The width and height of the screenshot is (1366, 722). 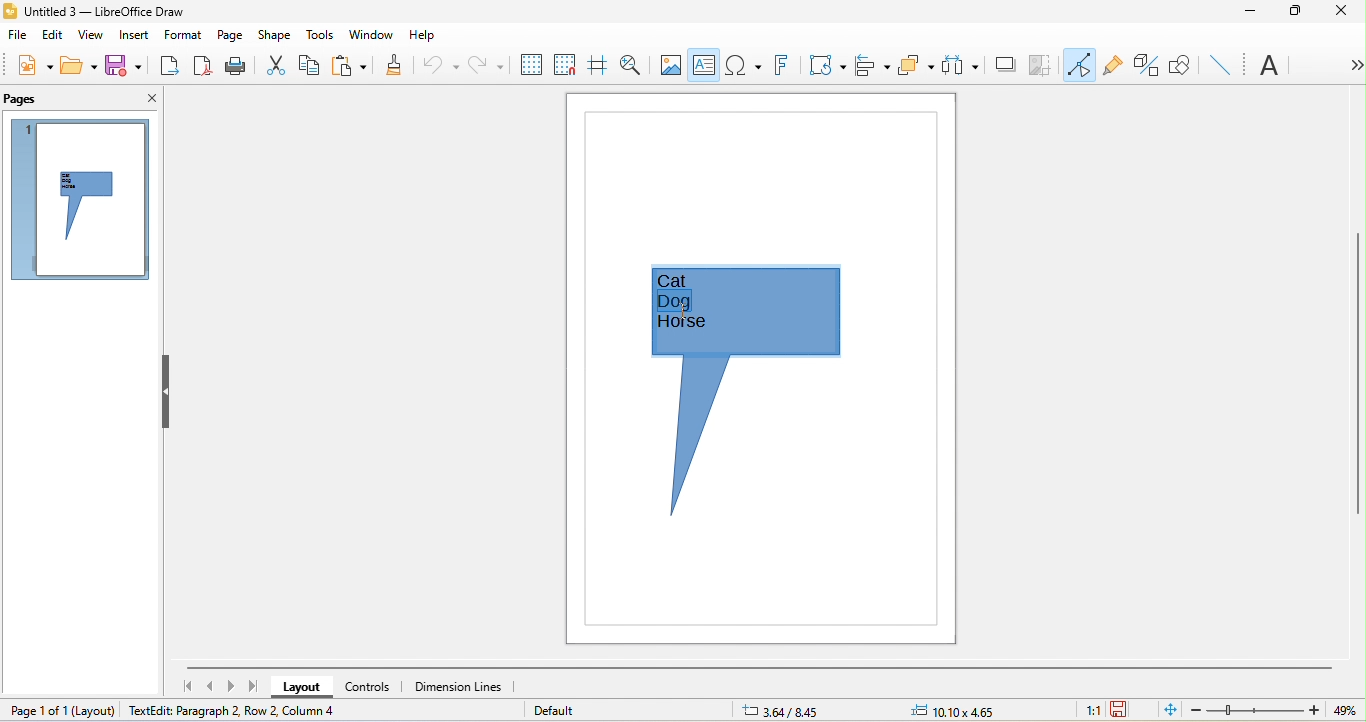 What do you see at coordinates (1128, 710) in the screenshot?
I see `the document has not been modified since the last save` at bounding box center [1128, 710].